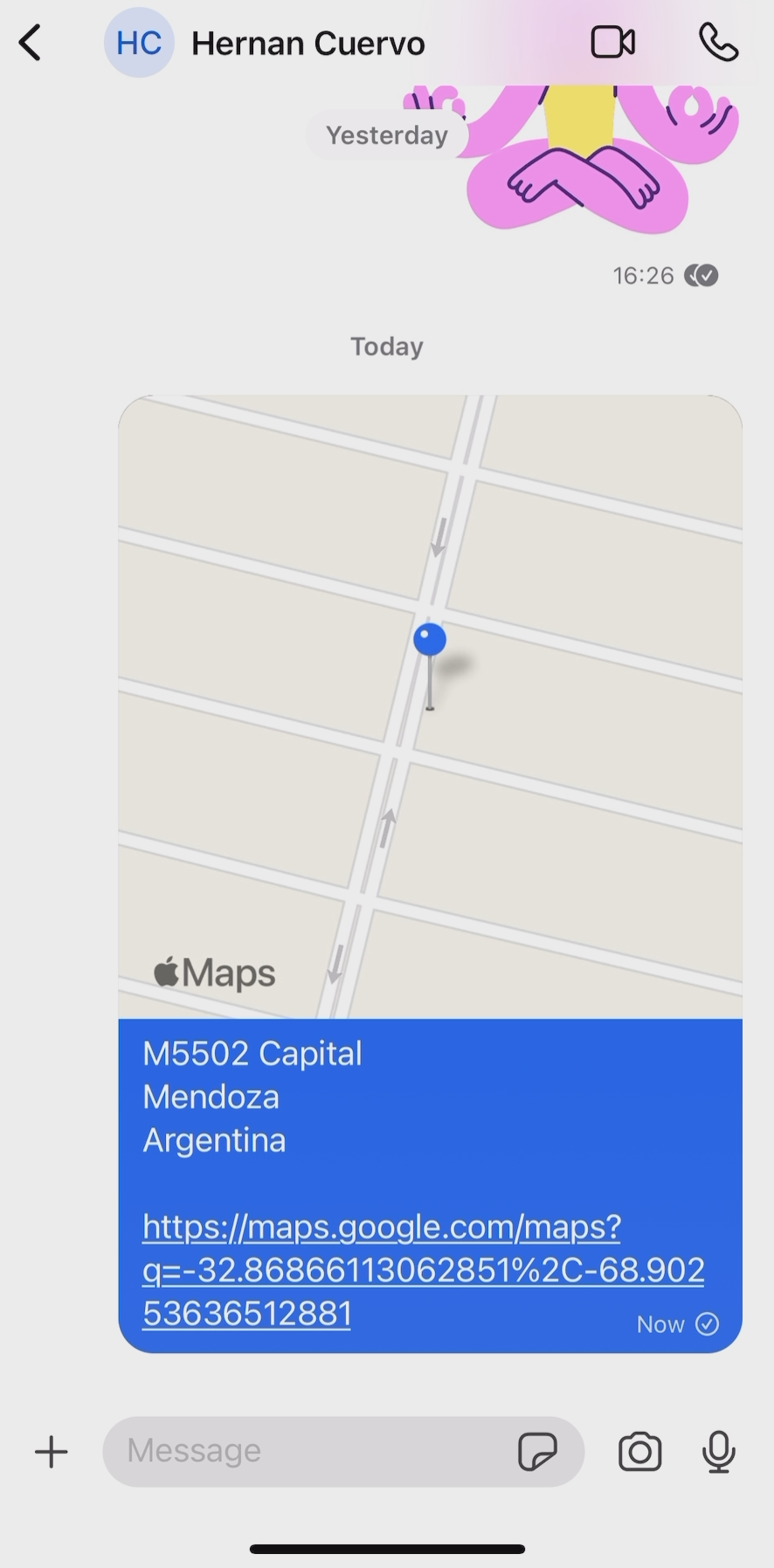 This screenshot has height=1568, width=774. I want to click on add, so click(52, 1449).